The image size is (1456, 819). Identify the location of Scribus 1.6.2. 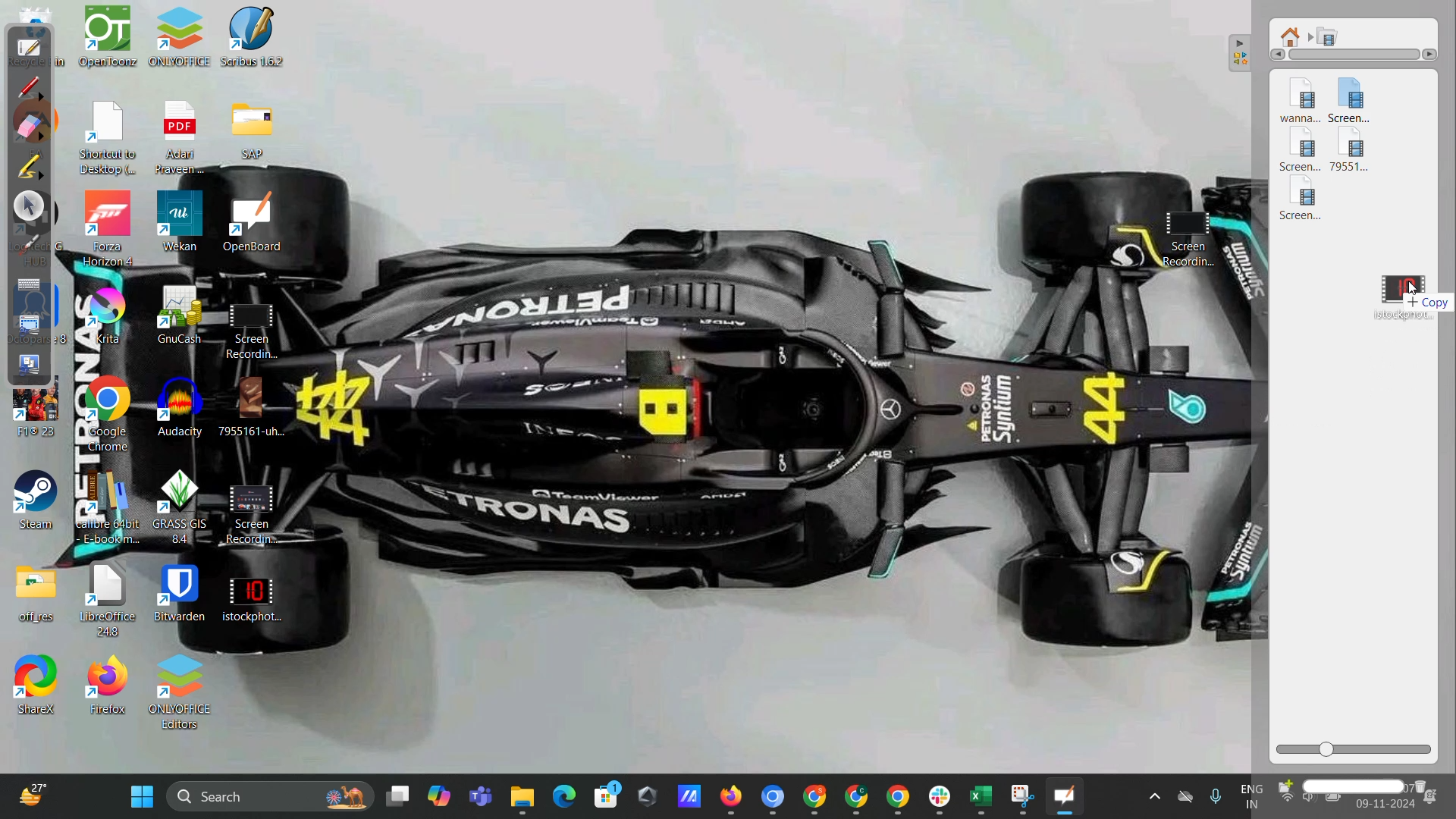
(259, 42).